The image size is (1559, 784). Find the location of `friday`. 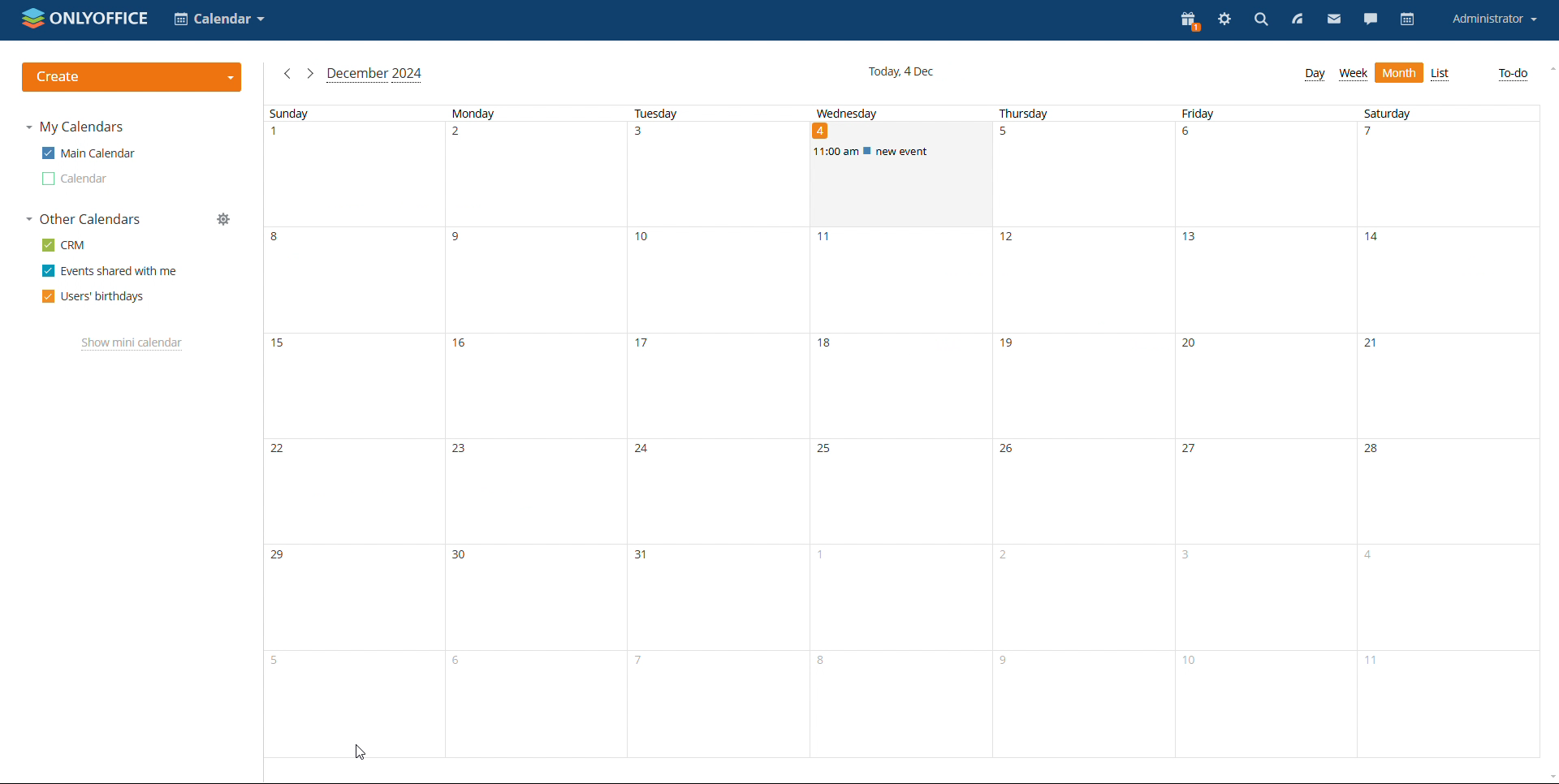

friday is located at coordinates (1260, 432).